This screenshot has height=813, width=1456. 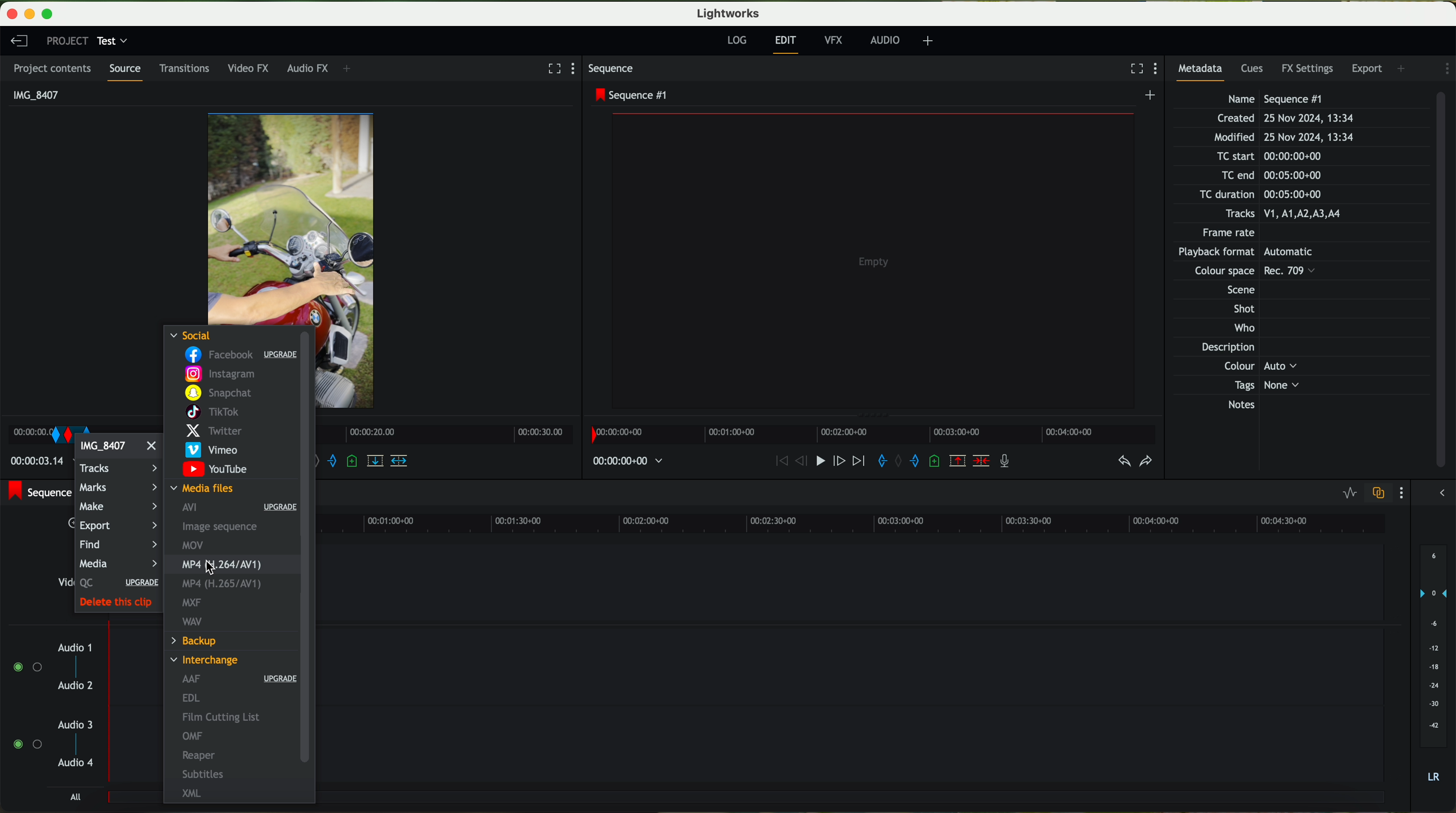 I want to click on timeline, so click(x=872, y=434).